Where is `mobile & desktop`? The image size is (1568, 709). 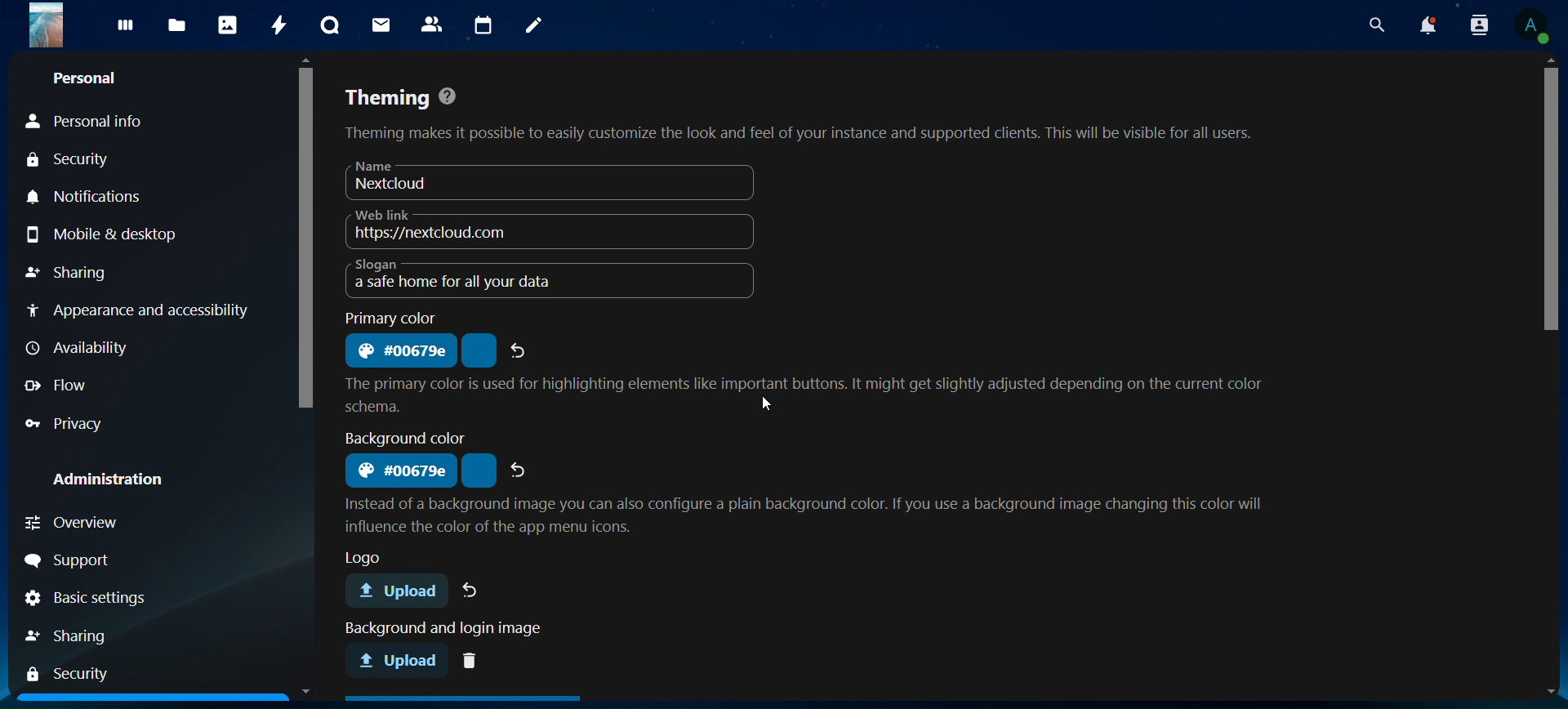
mobile & desktop is located at coordinates (126, 234).